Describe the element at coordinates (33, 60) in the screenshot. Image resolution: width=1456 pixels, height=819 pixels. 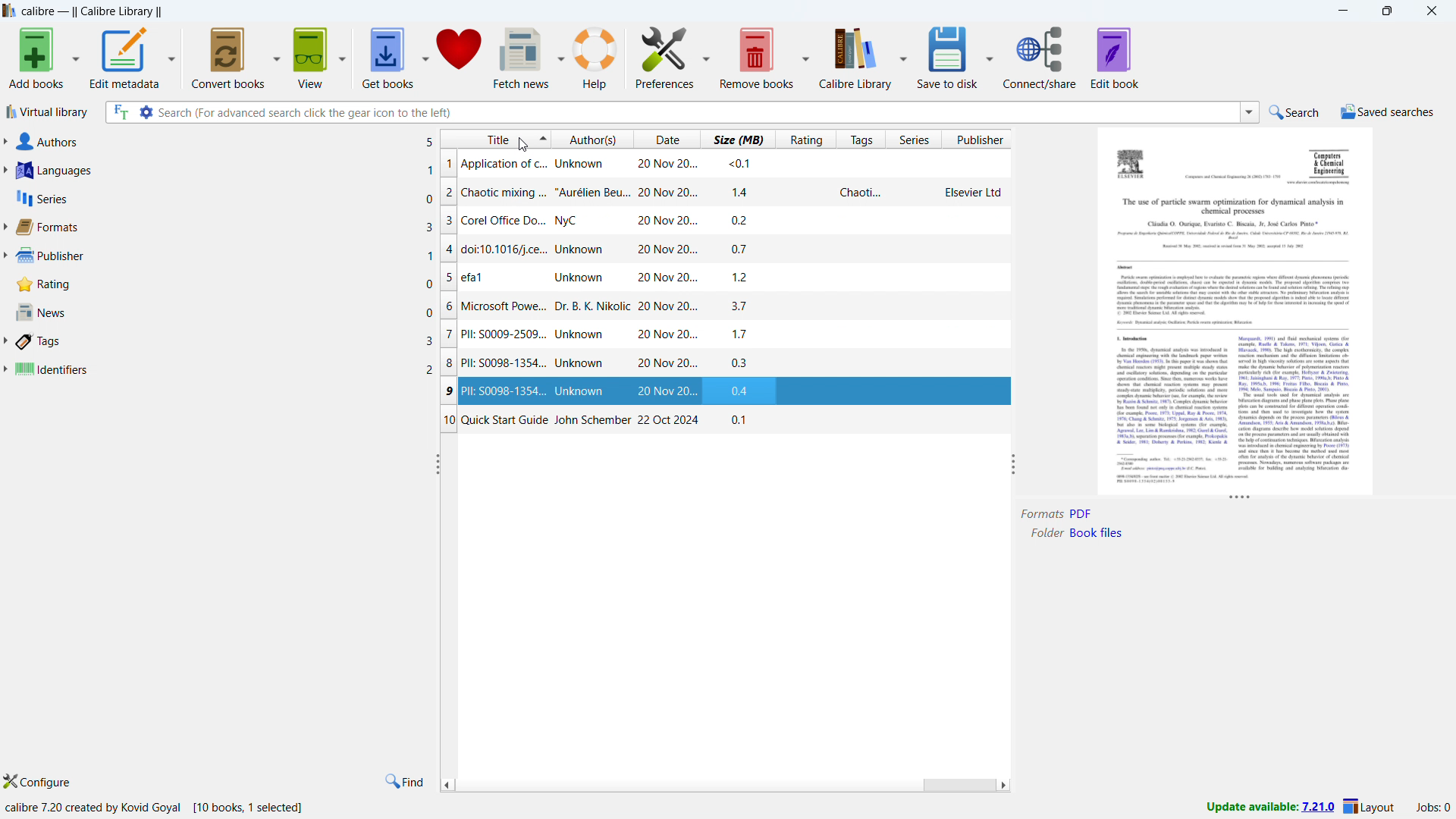
I see `add books` at that location.